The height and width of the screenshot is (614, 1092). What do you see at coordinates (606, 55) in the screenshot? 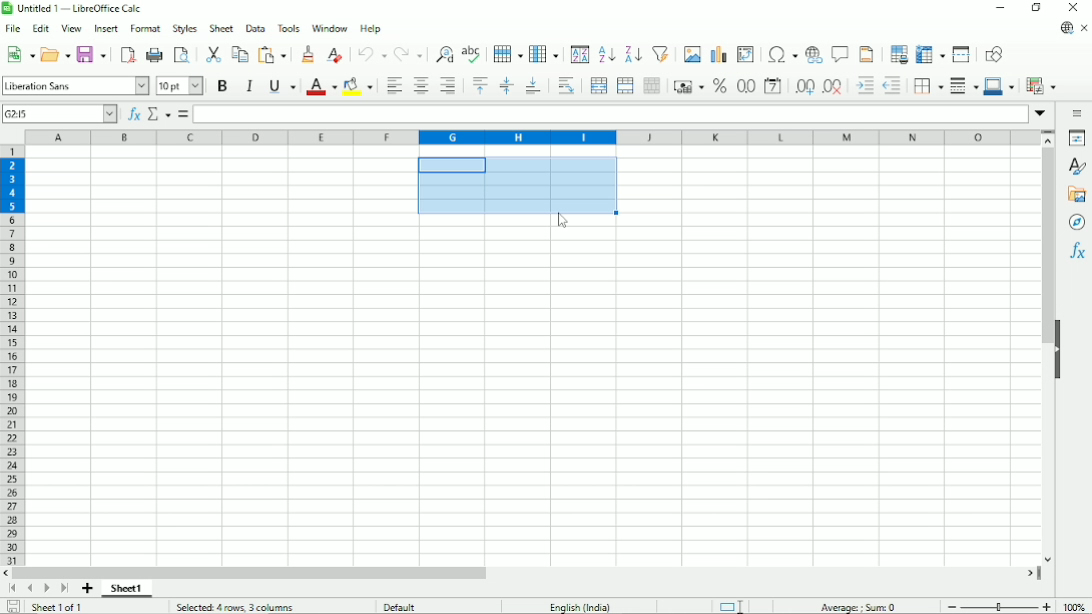
I see `Sort ascending` at bounding box center [606, 55].